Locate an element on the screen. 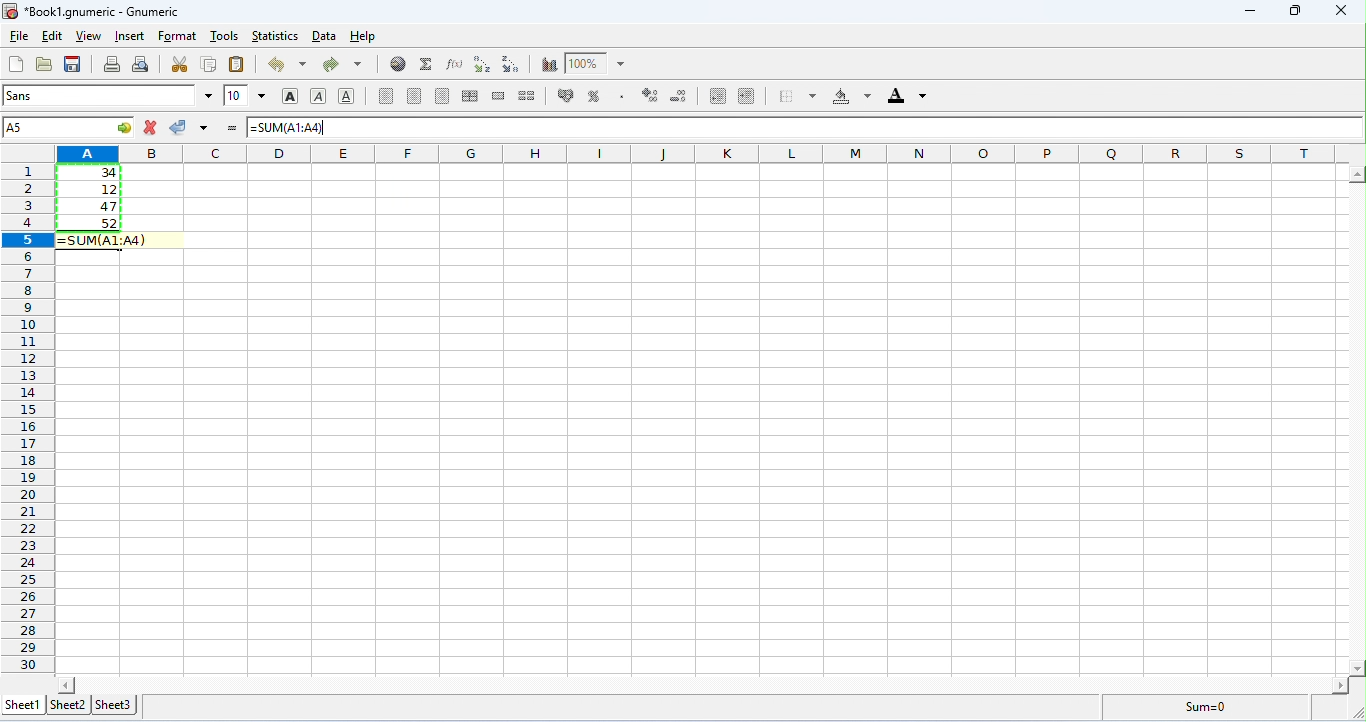 The image size is (1366, 722). edit is located at coordinates (52, 37).